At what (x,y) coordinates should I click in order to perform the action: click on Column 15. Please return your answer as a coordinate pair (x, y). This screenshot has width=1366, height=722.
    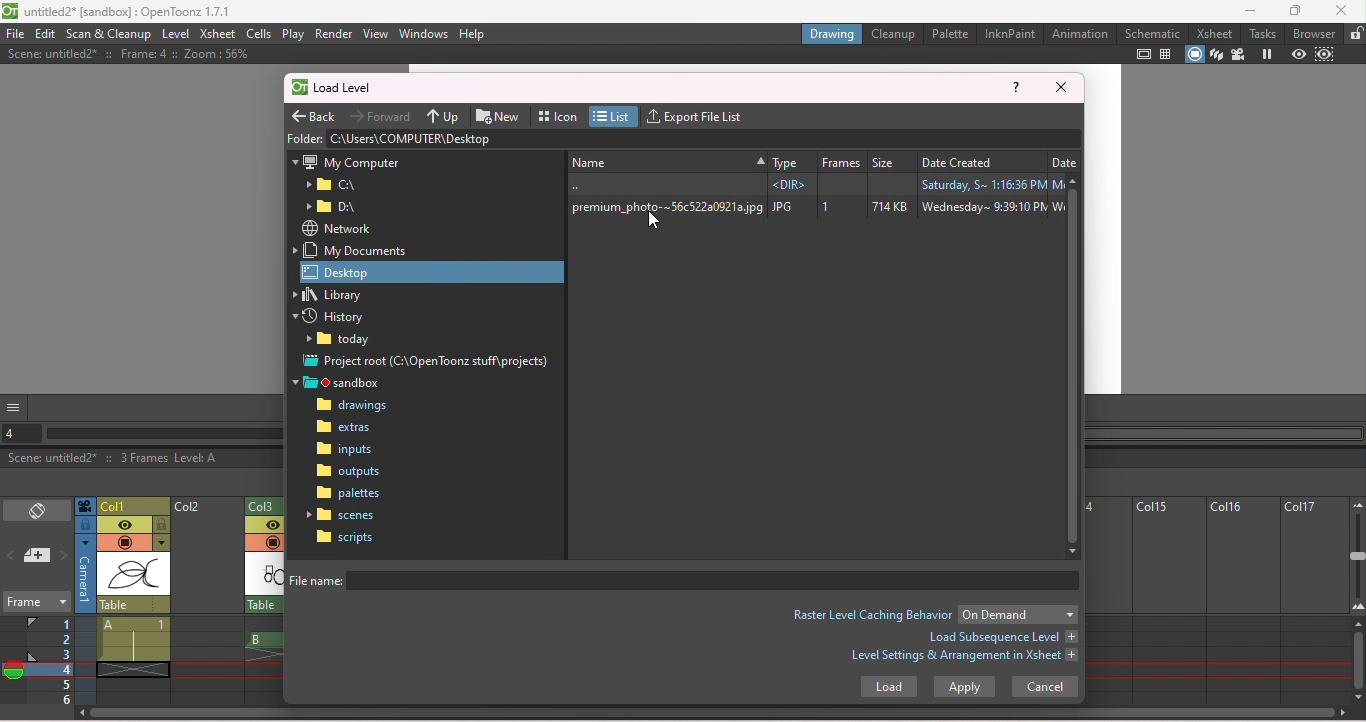
    Looking at the image, I should click on (1165, 601).